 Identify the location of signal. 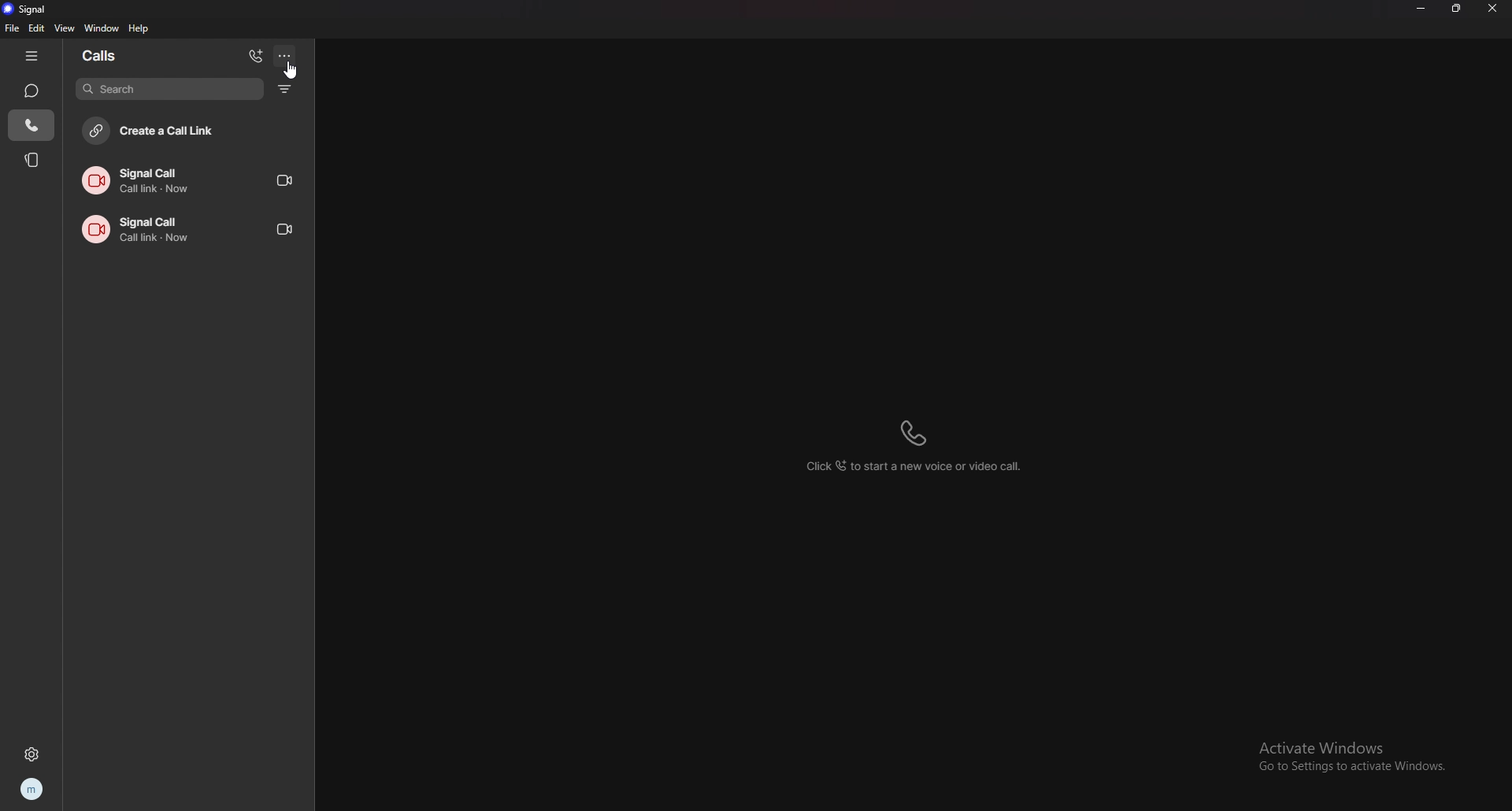
(37, 8).